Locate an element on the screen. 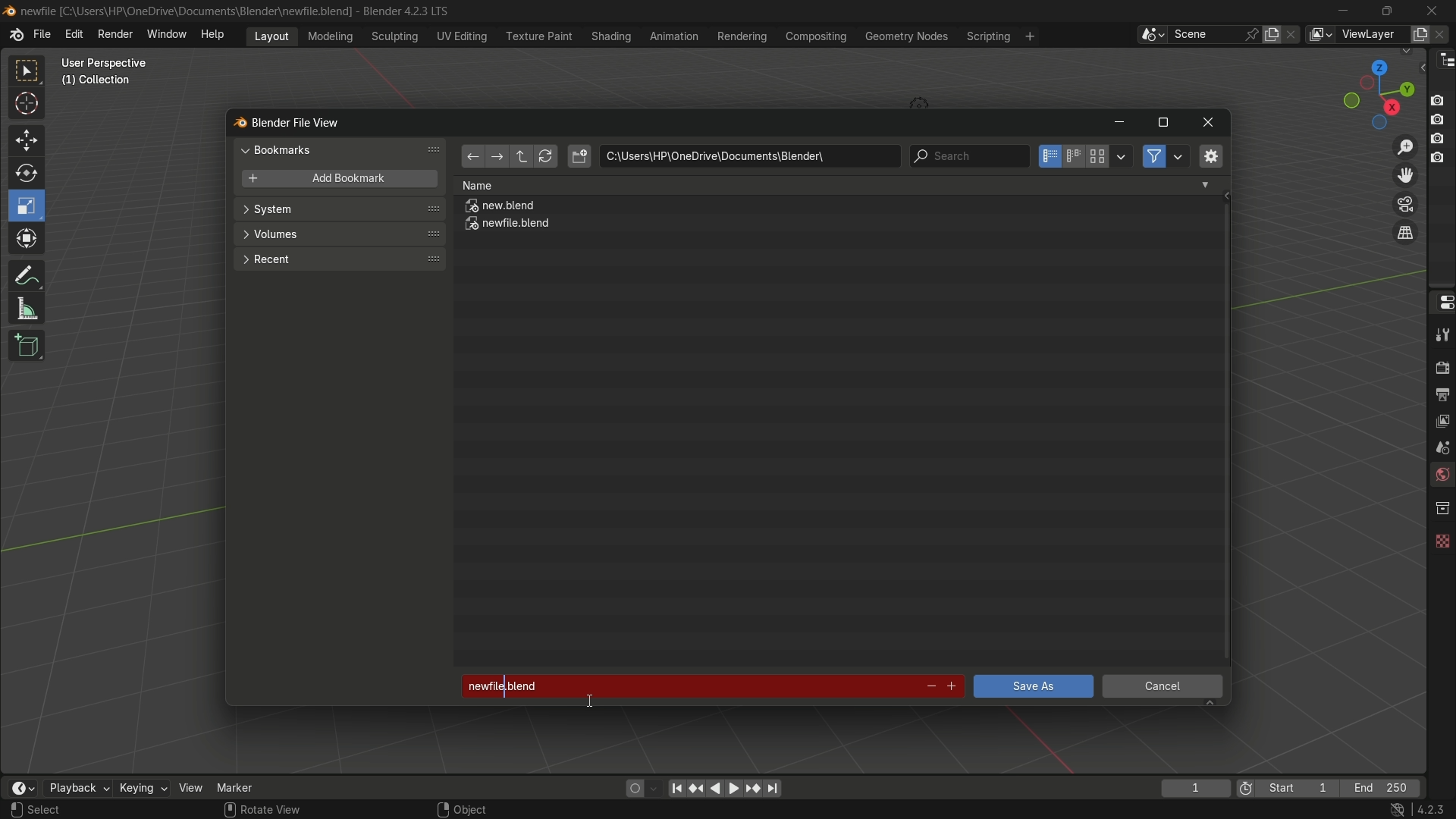 The image size is (1456, 819). add view layer is located at coordinates (1418, 33).